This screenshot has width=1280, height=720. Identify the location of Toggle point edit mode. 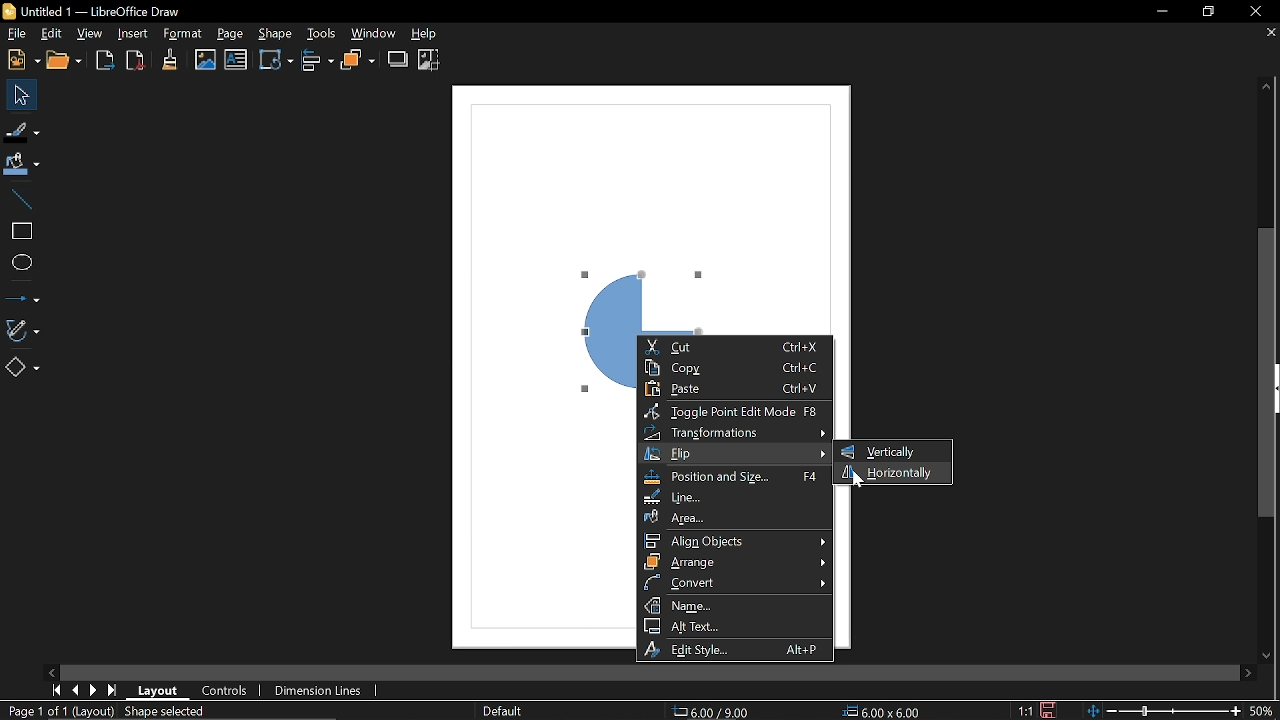
(734, 412).